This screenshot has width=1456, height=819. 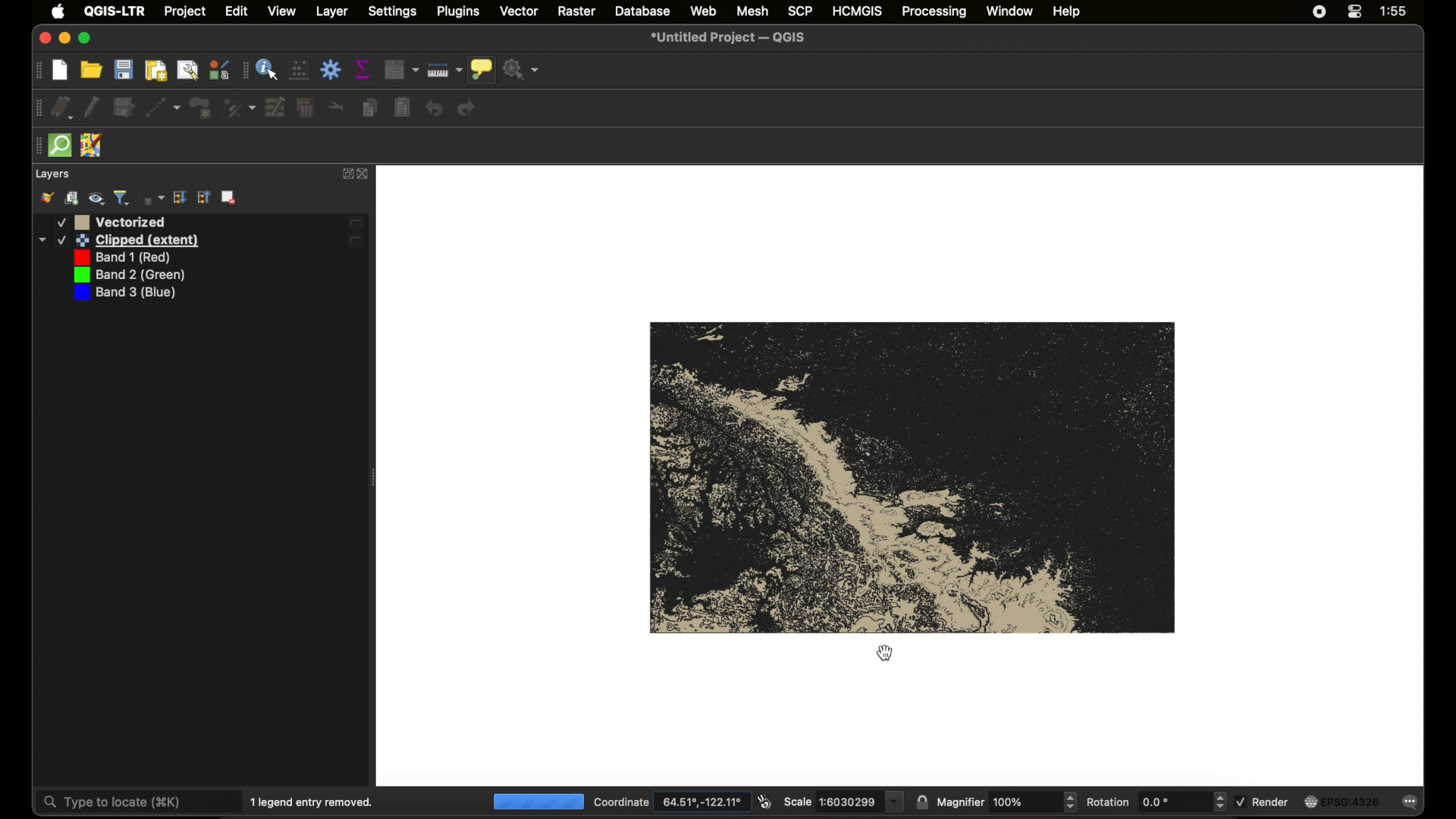 What do you see at coordinates (60, 71) in the screenshot?
I see `new` at bounding box center [60, 71].